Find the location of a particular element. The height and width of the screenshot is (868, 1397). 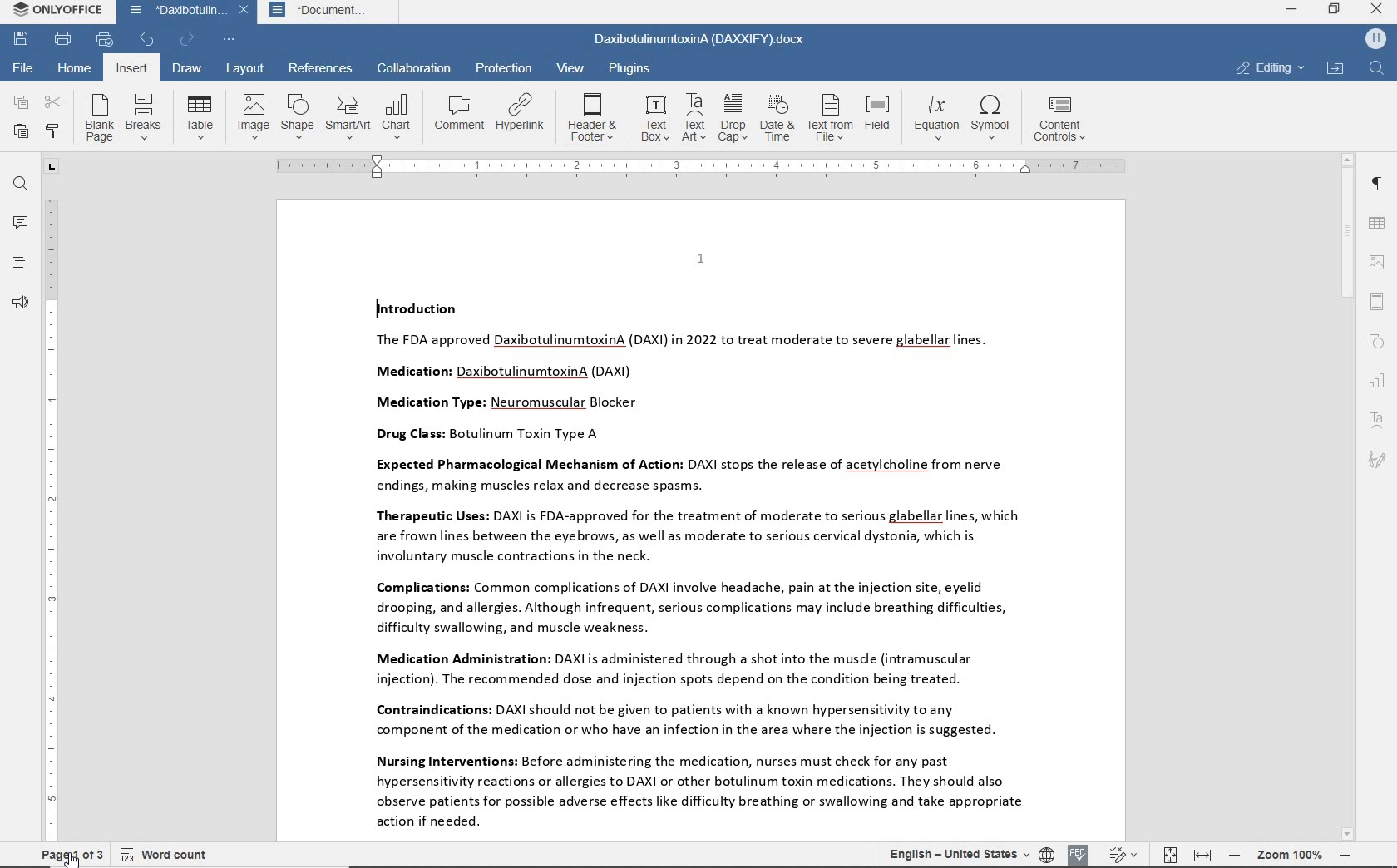

minimize is located at coordinates (1292, 8).